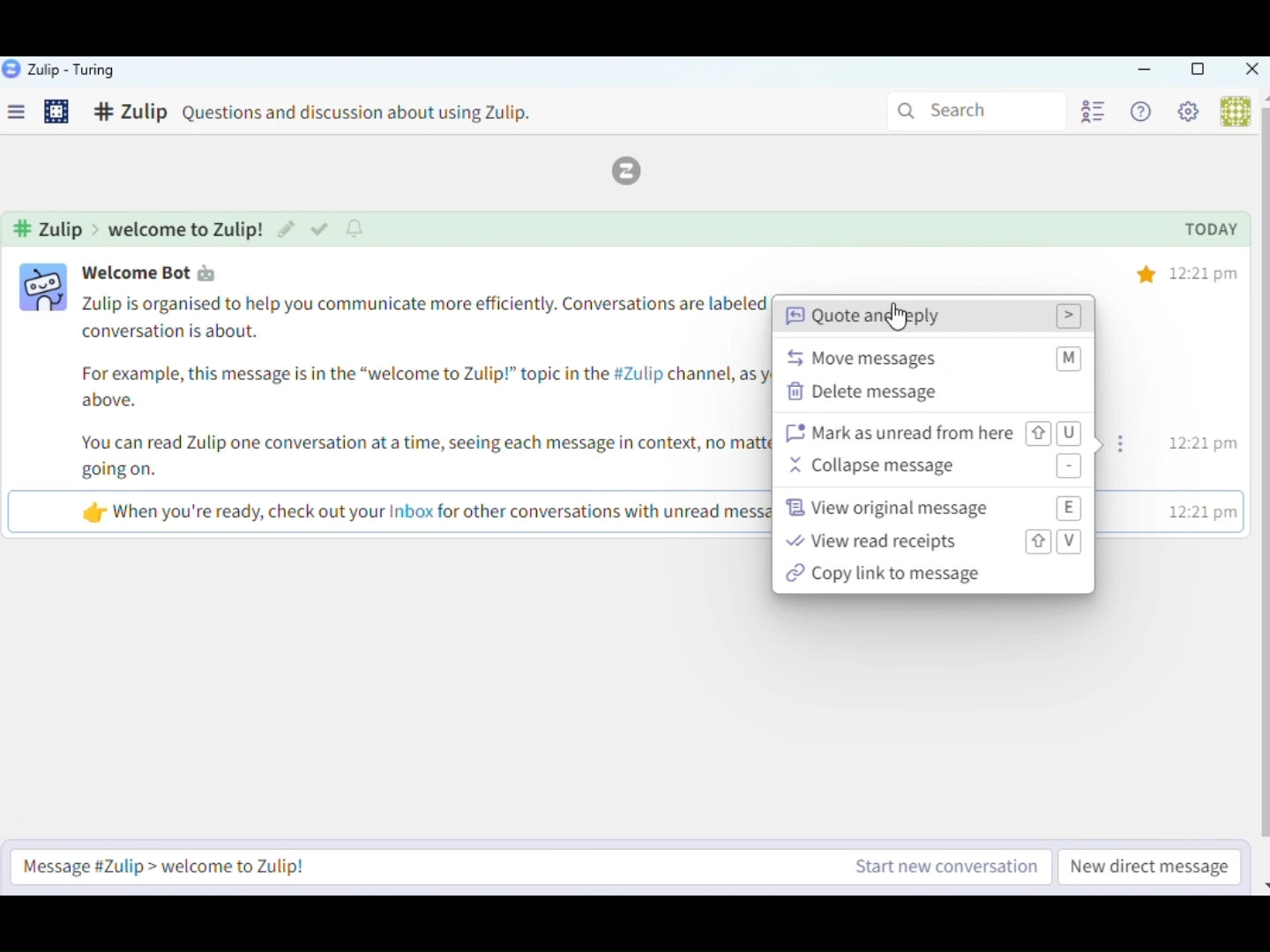 Image resolution: width=1270 pixels, height=952 pixels. What do you see at coordinates (1197, 70) in the screenshot?
I see `Box` at bounding box center [1197, 70].